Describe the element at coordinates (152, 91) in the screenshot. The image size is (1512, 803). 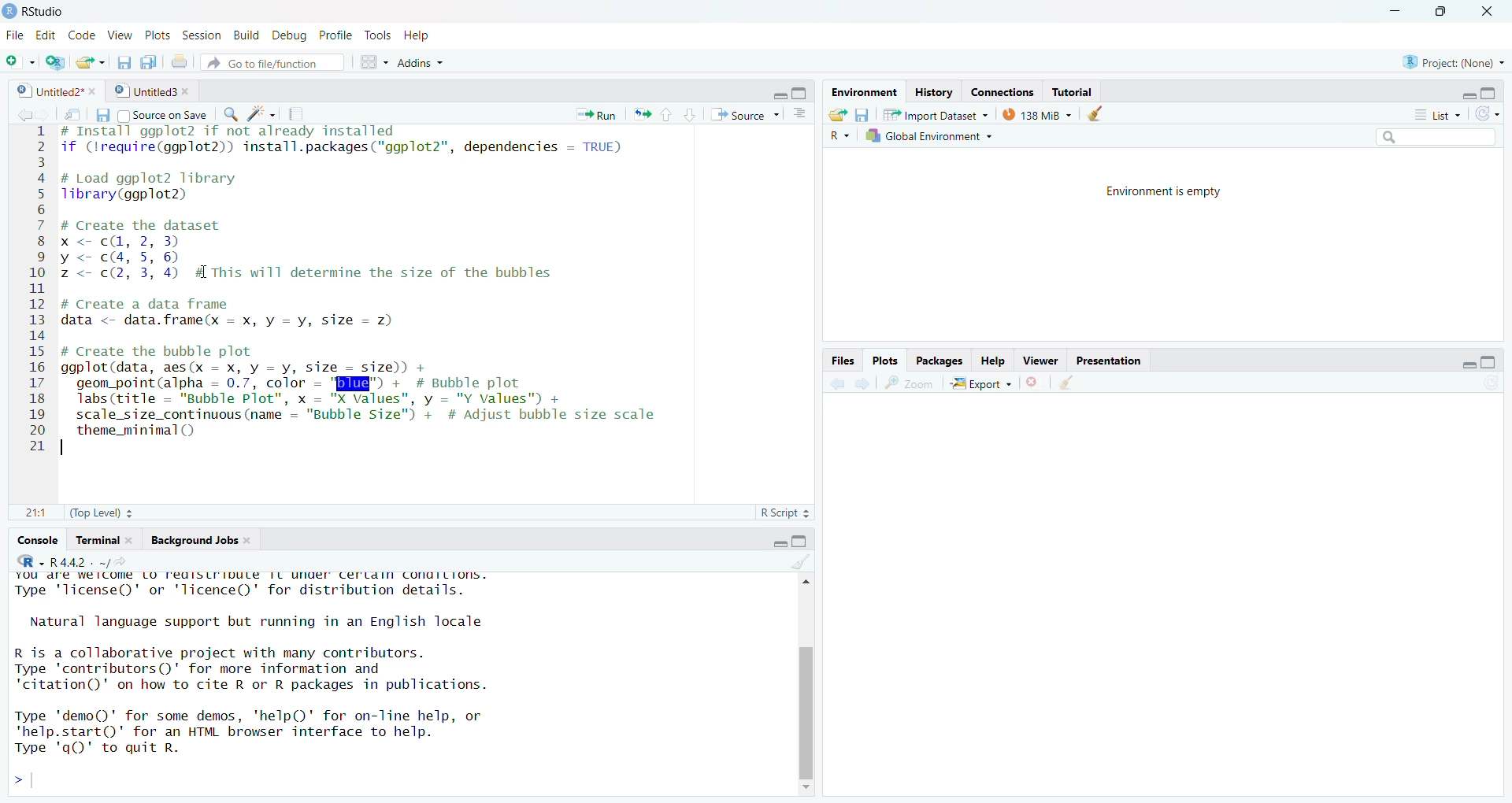
I see `Untitled 3` at that location.